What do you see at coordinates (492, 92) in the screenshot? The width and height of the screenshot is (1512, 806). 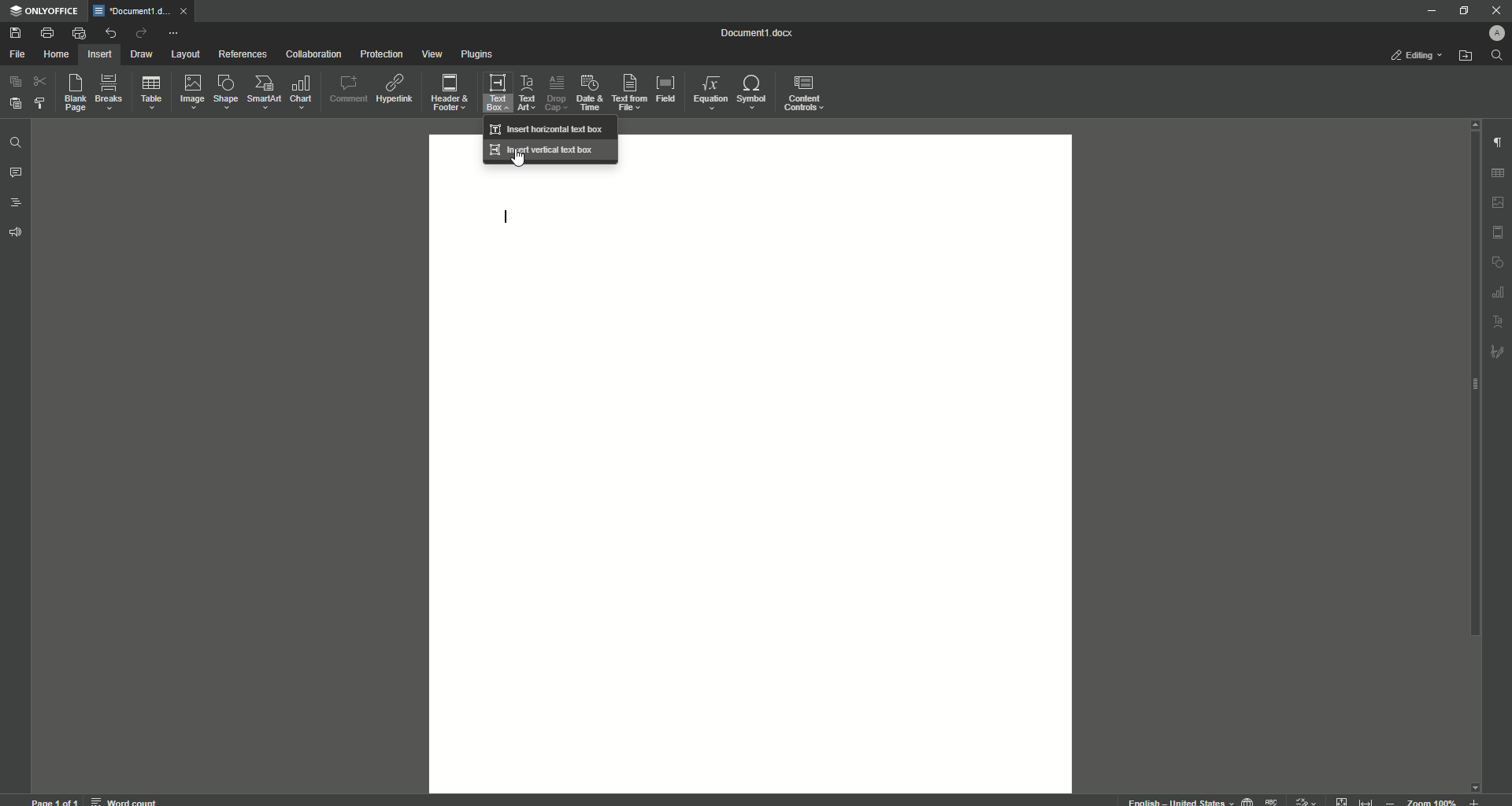 I see `Text Box` at bounding box center [492, 92].